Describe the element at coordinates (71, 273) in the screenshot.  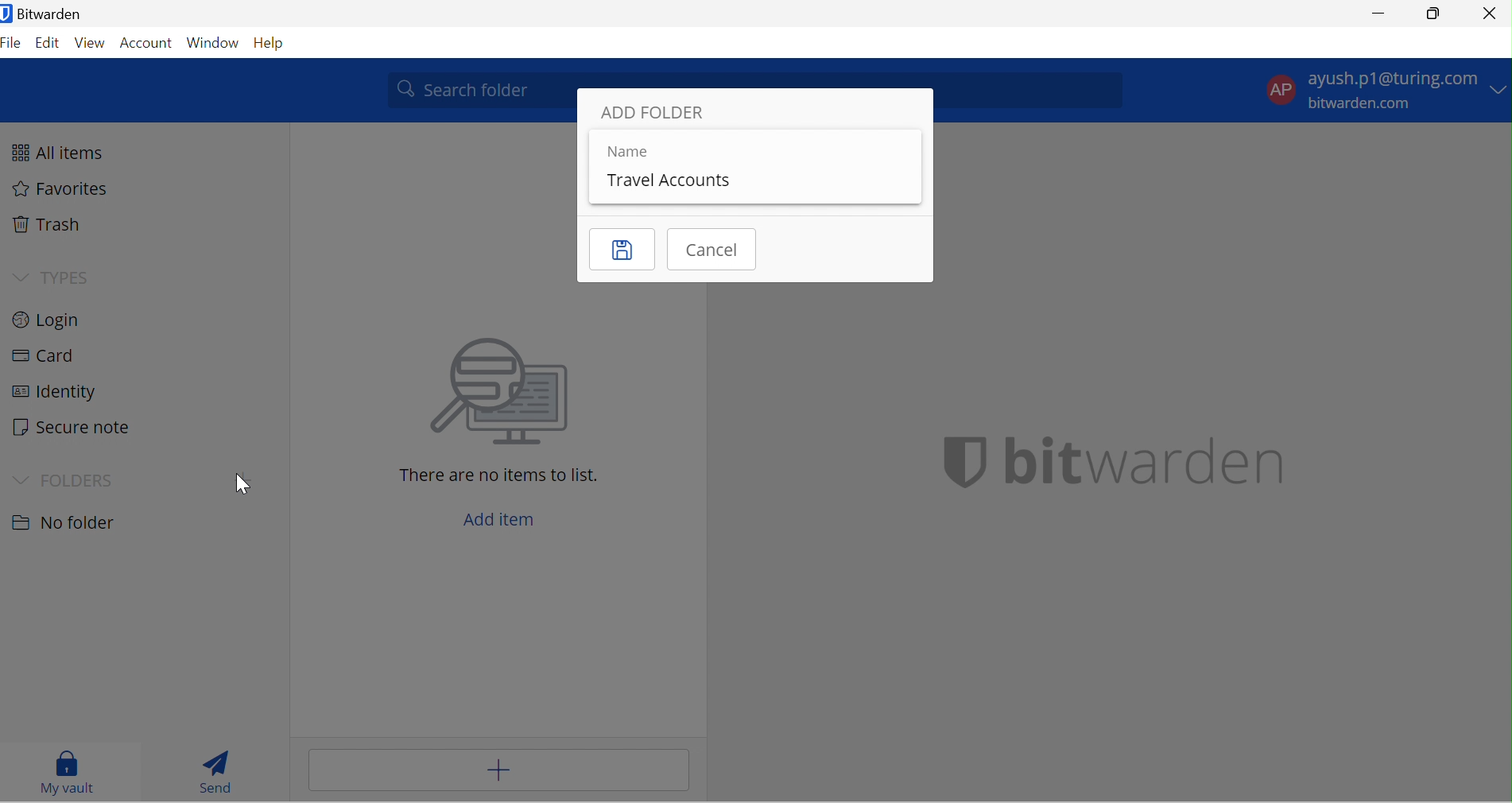
I see `TYPES` at that location.